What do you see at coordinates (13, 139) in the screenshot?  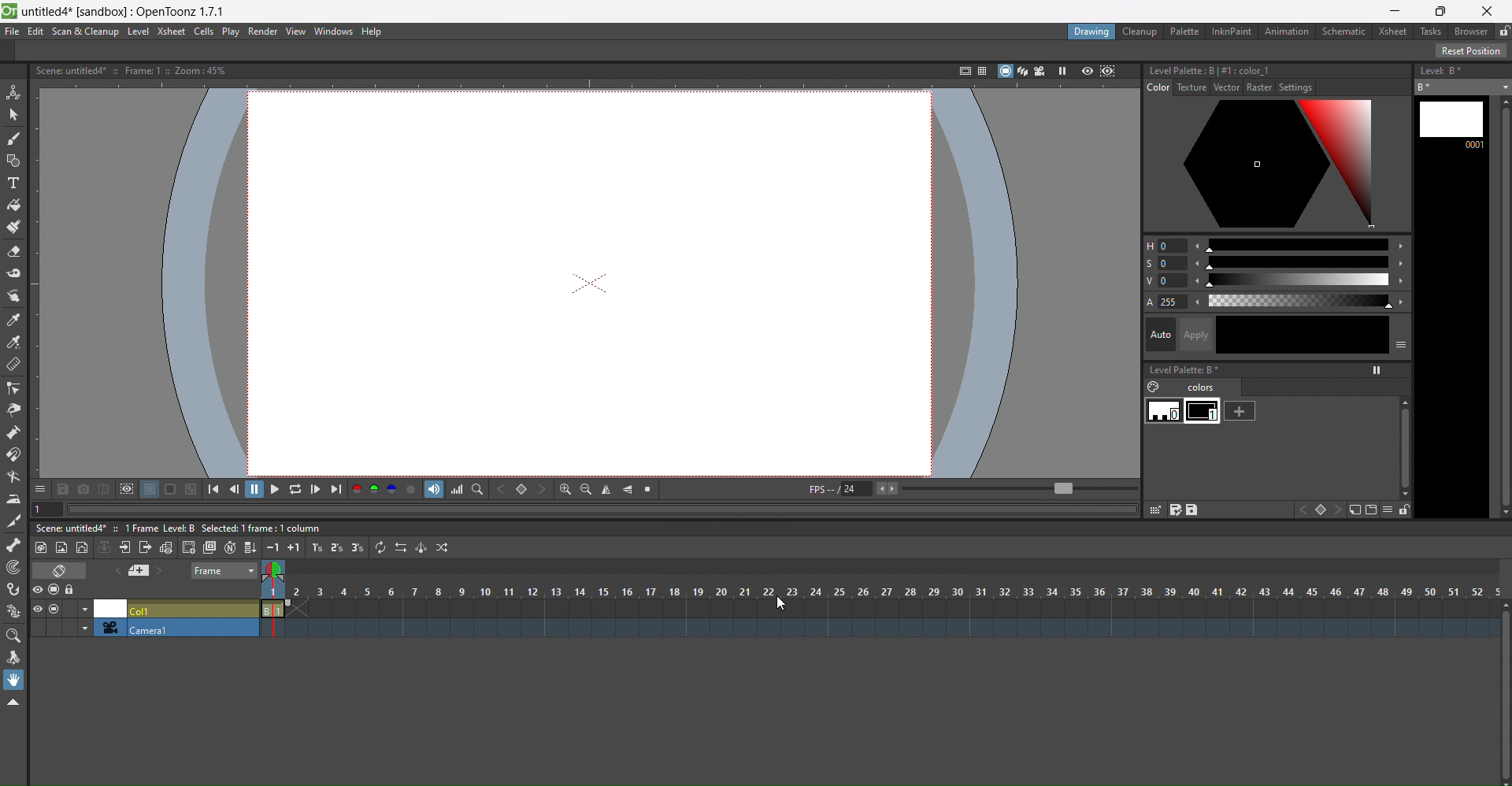 I see `brush tool` at bounding box center [13, 139].